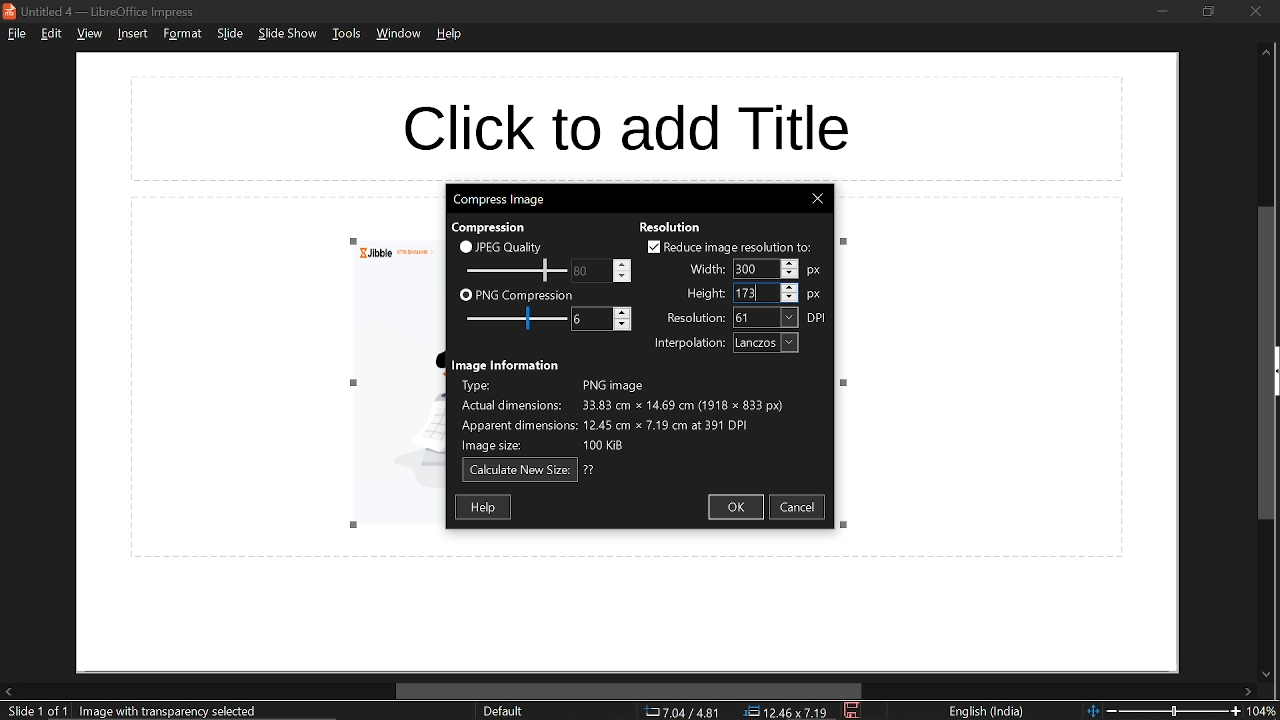 This screenshot has height=720, width=1280. I want to click on text, so click(695, 317).